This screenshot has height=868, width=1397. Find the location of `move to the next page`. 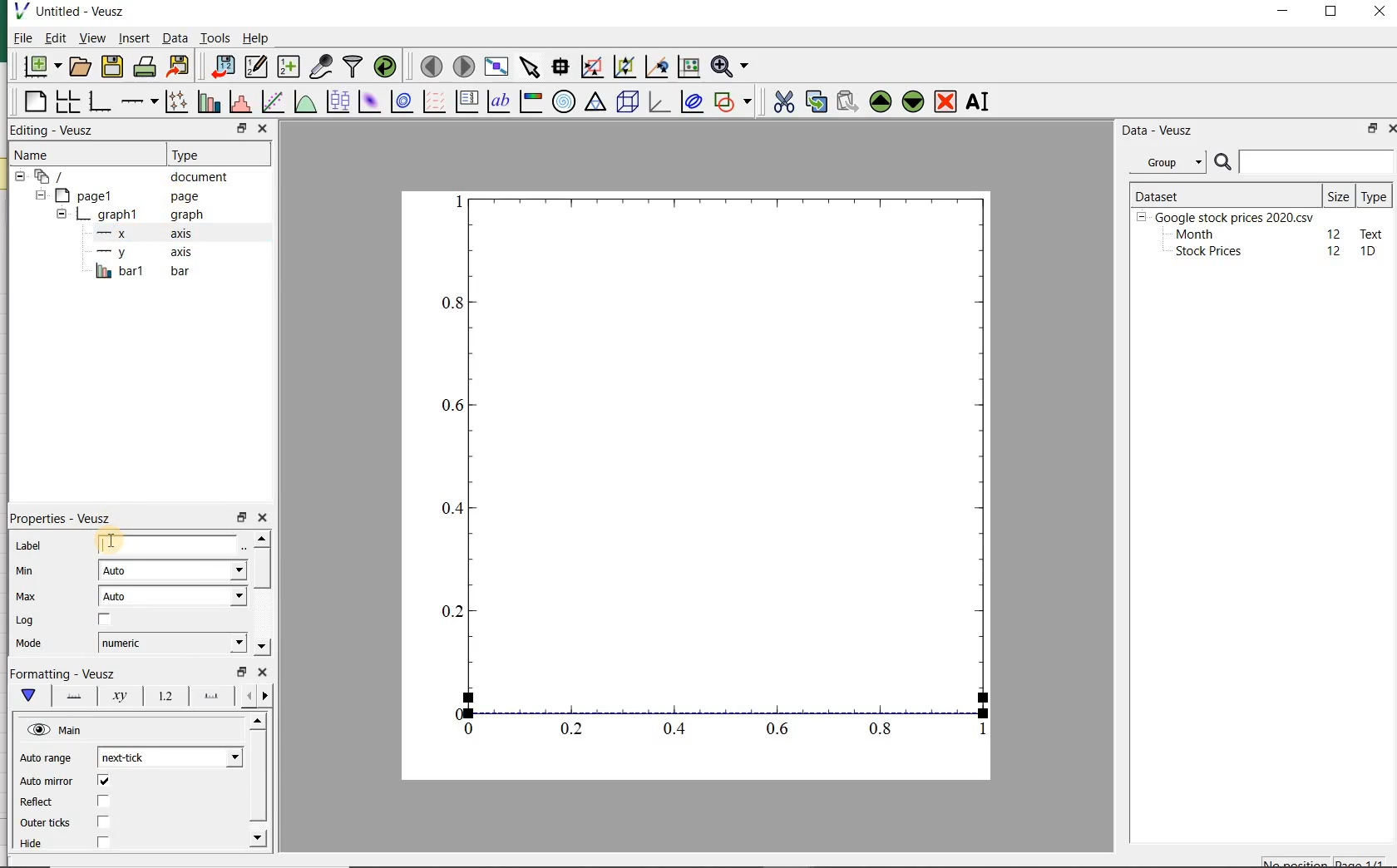

move to the next page is located at coordinates (464, 67).